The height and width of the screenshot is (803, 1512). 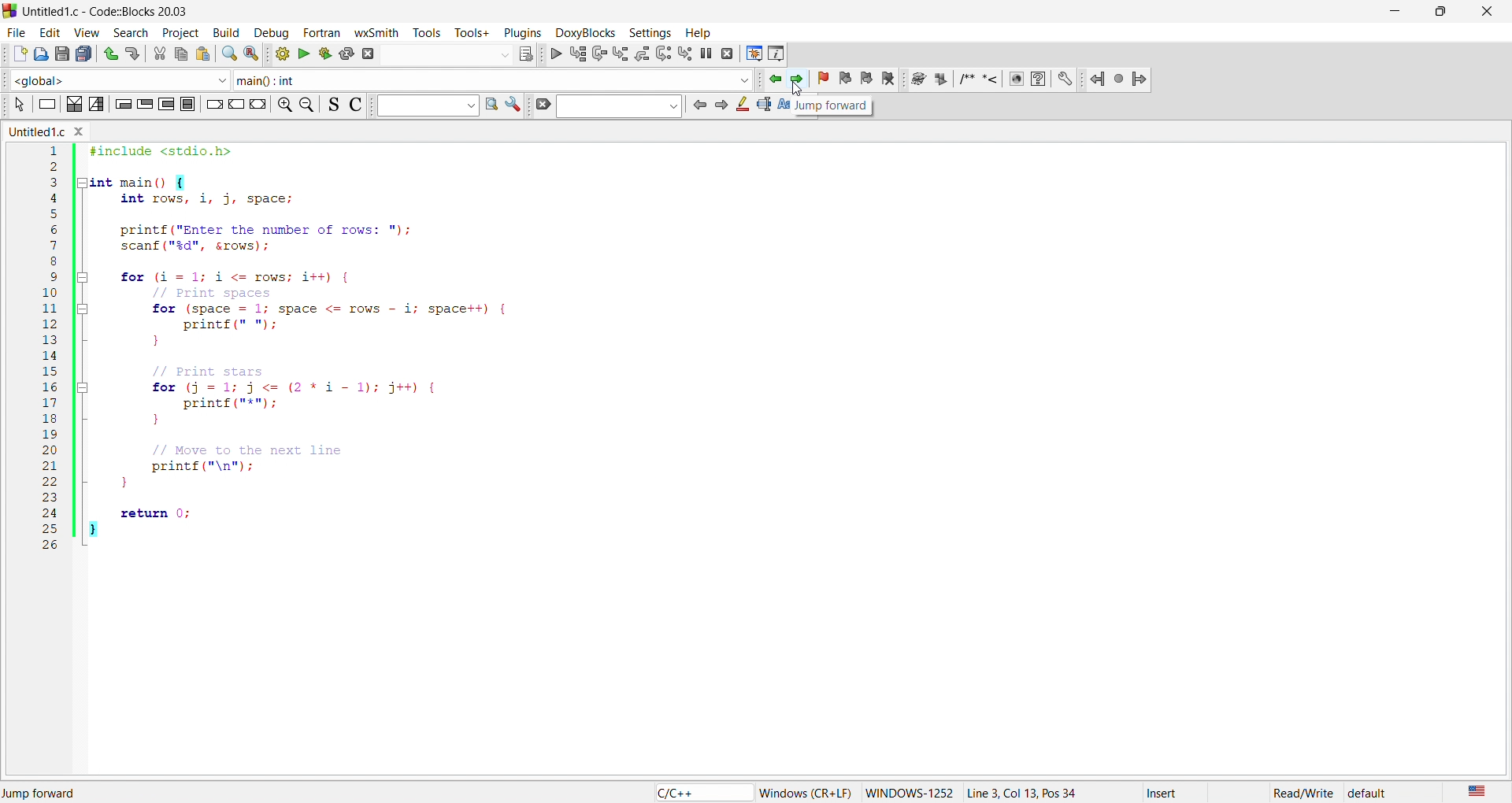 What do you see at coordinates (1285, 790) in the screenshot?
I see `read/write` at bounding box center [1285, 790].